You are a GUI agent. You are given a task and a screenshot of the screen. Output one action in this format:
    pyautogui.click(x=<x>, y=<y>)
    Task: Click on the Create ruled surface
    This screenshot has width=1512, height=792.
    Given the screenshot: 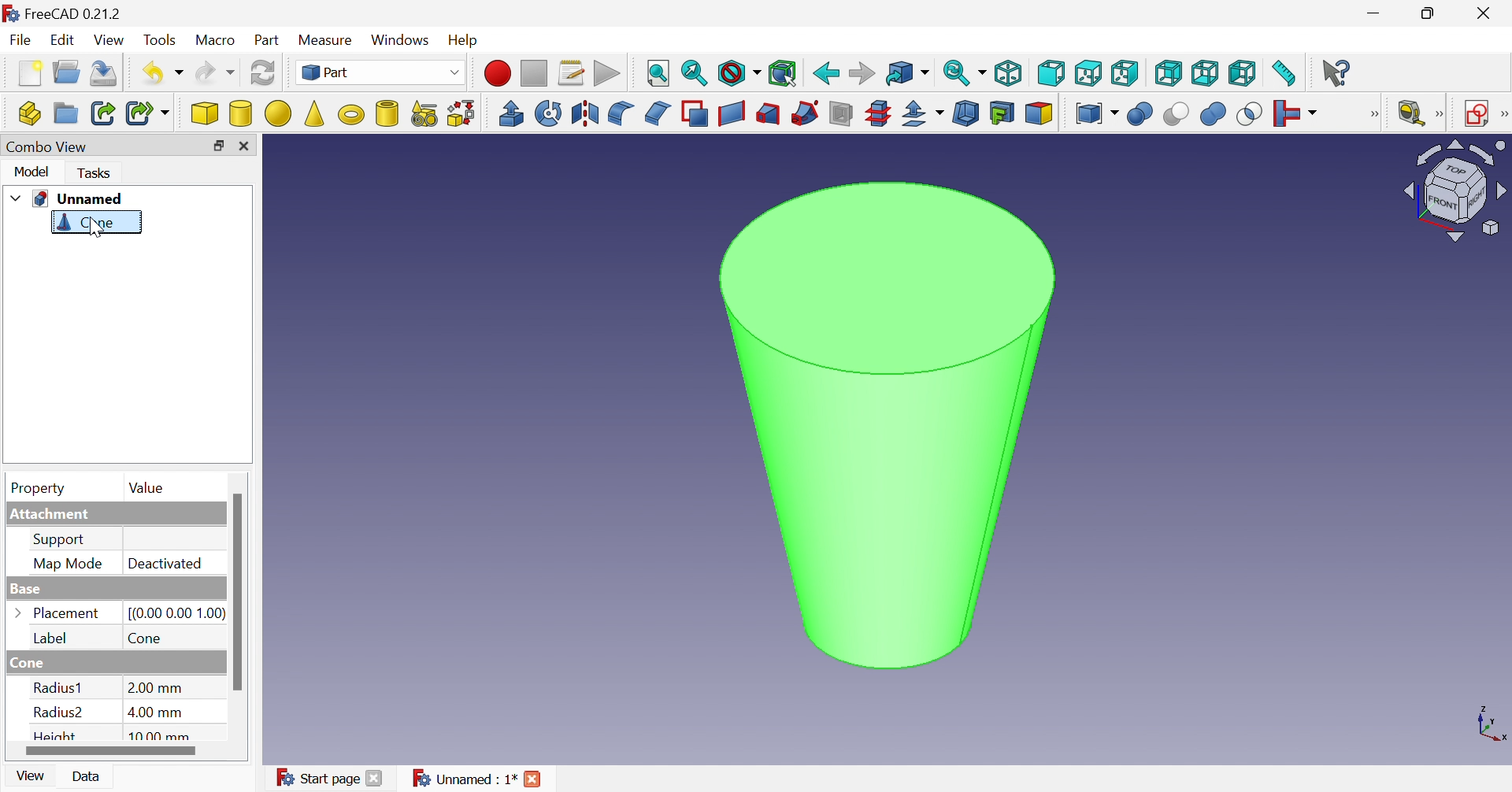 What is the action you would take?
    pyautogui.click(x=732, y=113)
    